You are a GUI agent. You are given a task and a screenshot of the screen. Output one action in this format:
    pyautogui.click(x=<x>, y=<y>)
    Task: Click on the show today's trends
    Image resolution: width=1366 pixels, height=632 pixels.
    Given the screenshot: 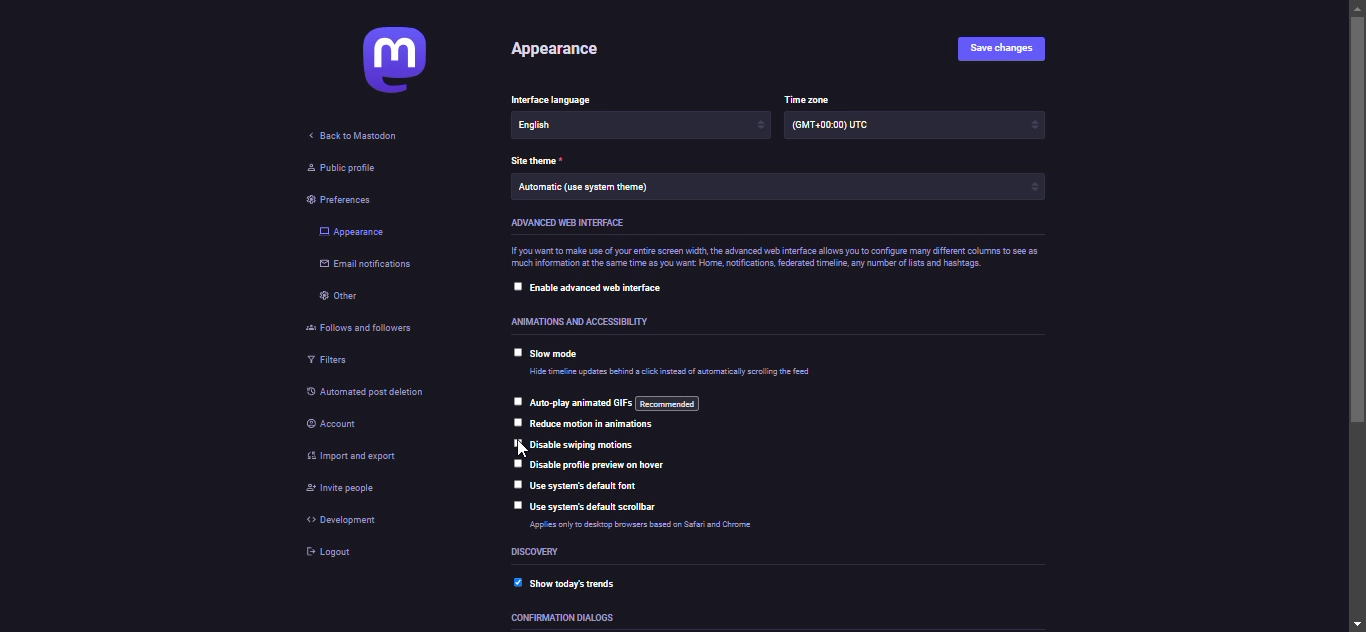 What is the action you would take?
    pyautogui.click(x=579, y=586)
    